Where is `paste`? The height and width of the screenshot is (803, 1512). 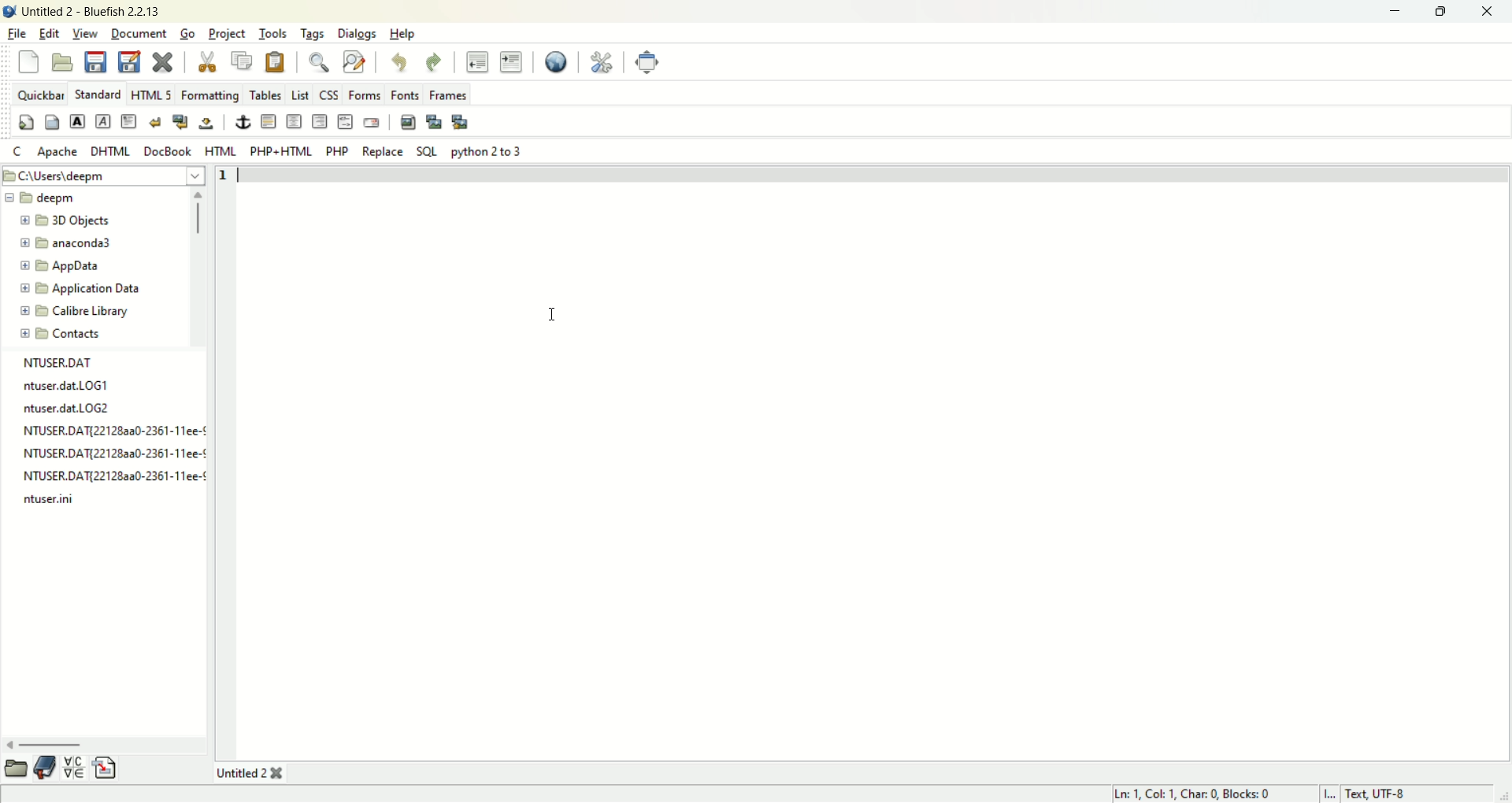 paste is located at coordinates (276, 61).